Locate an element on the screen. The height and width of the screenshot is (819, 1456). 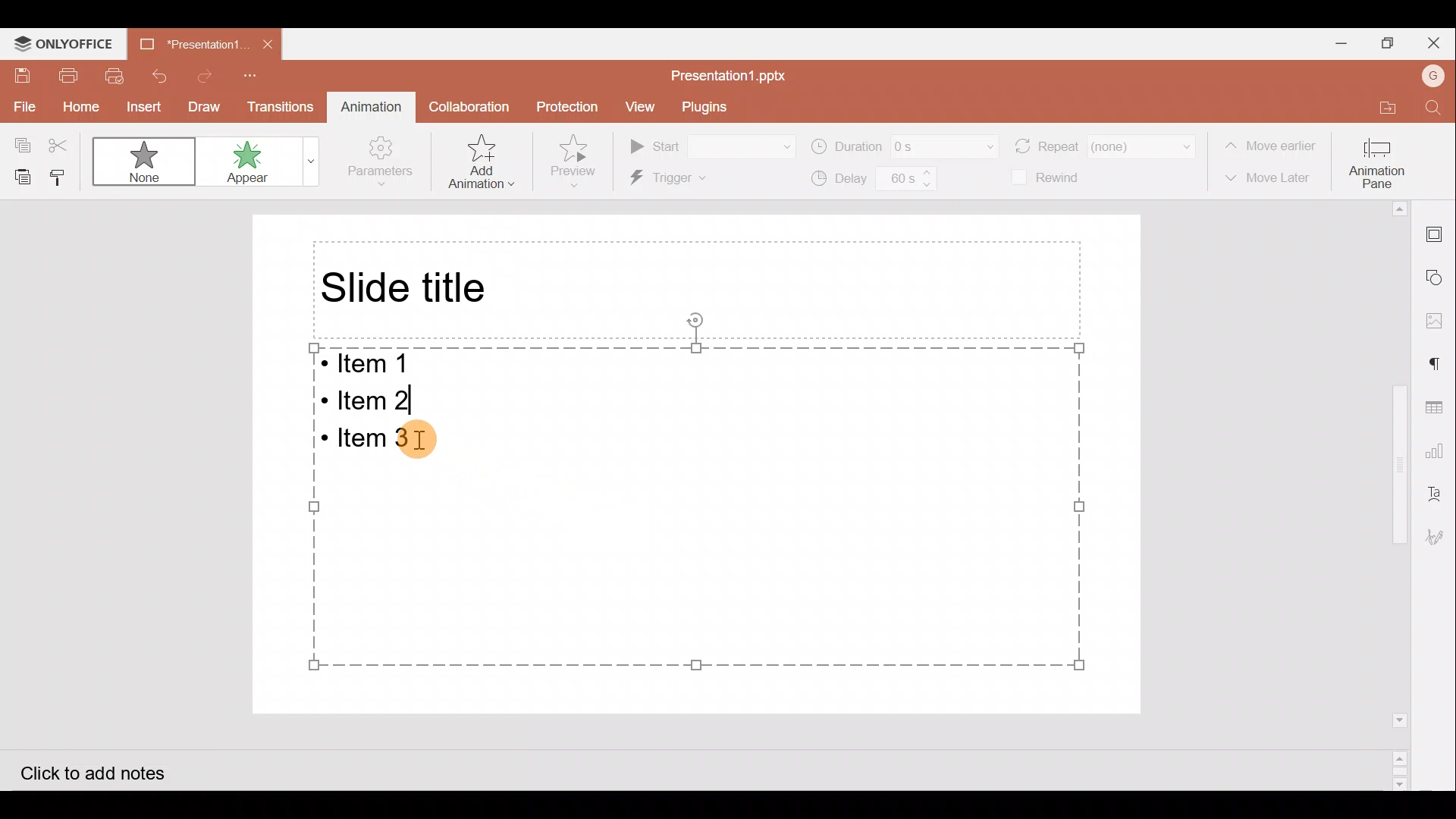
View is located at coordinates (642, 106).